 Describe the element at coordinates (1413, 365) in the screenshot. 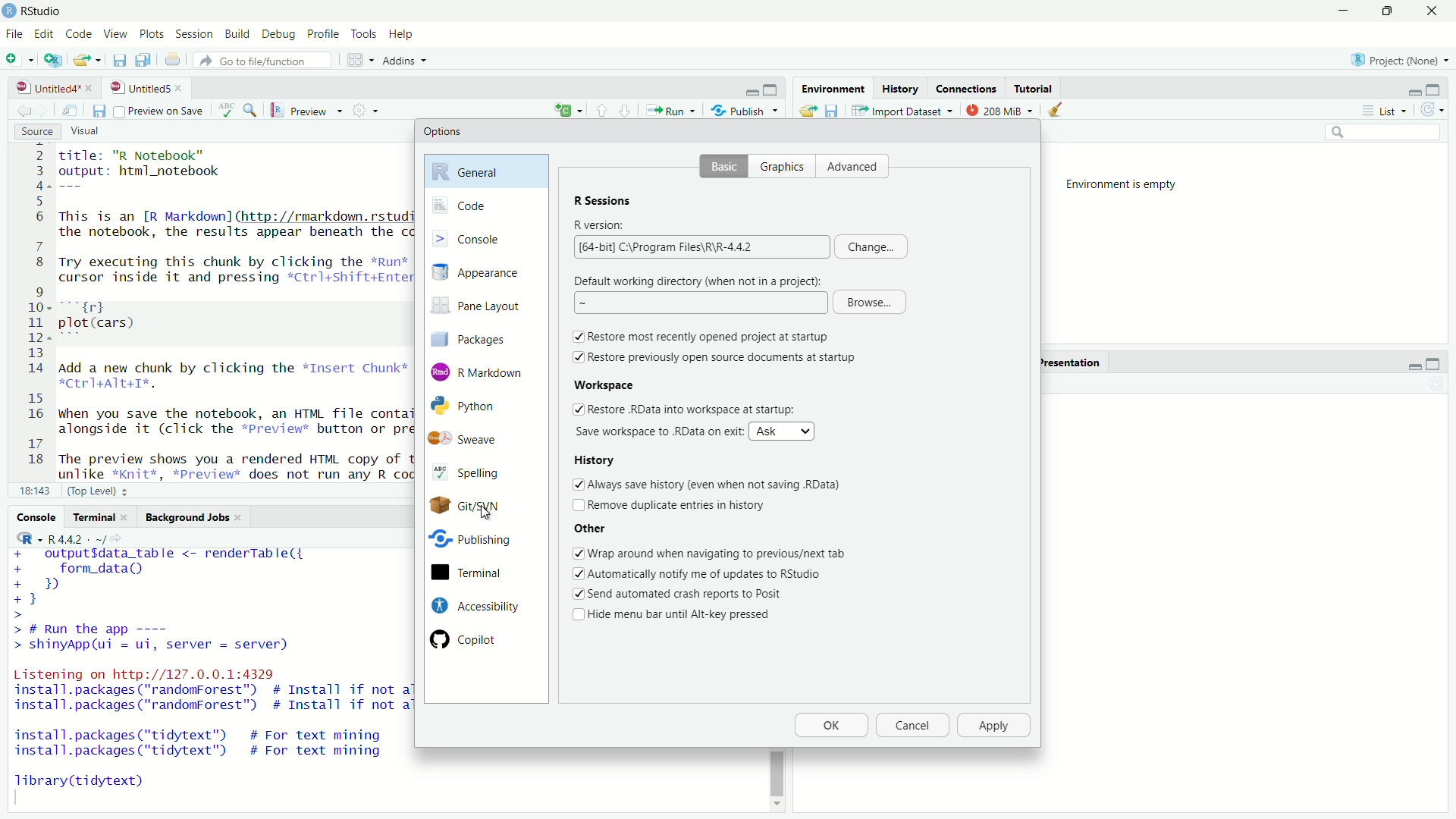

I see `minimize` at that location.